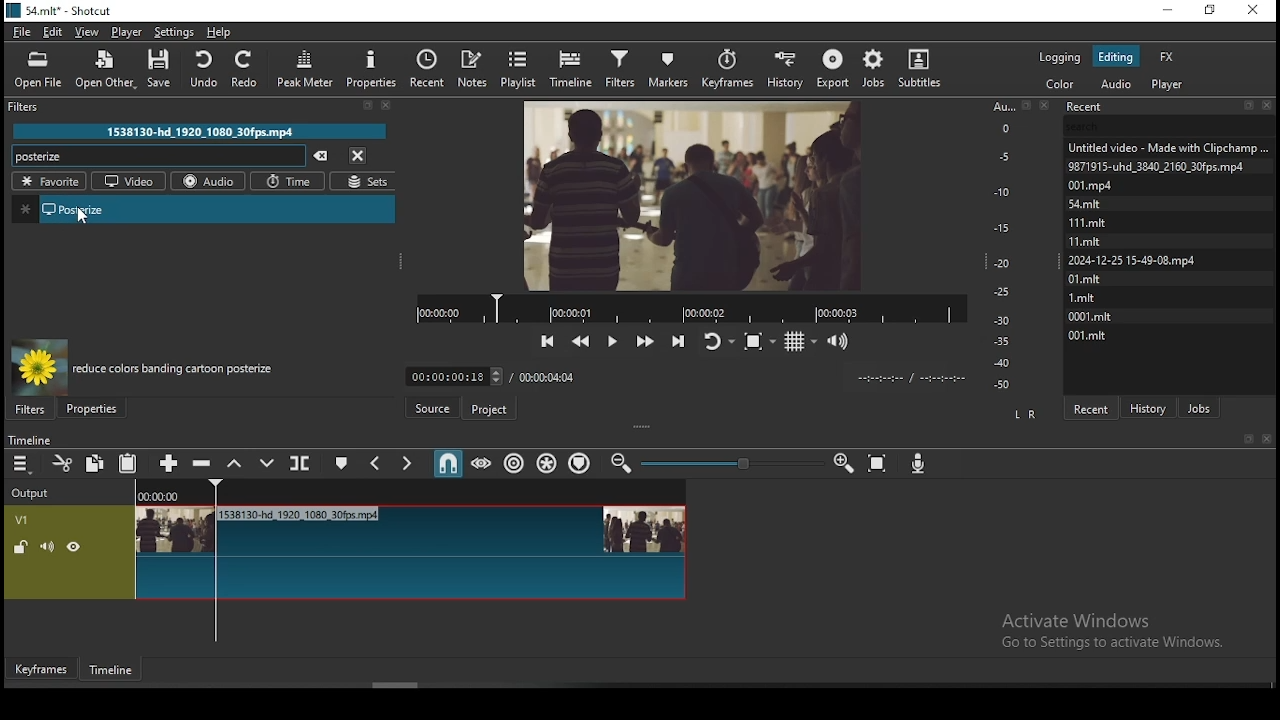 The width and height of the screenshot is (1280, 720). Describe the element at coordinates (399, 683) in the screenshot. I see `scroll bar` at that location.